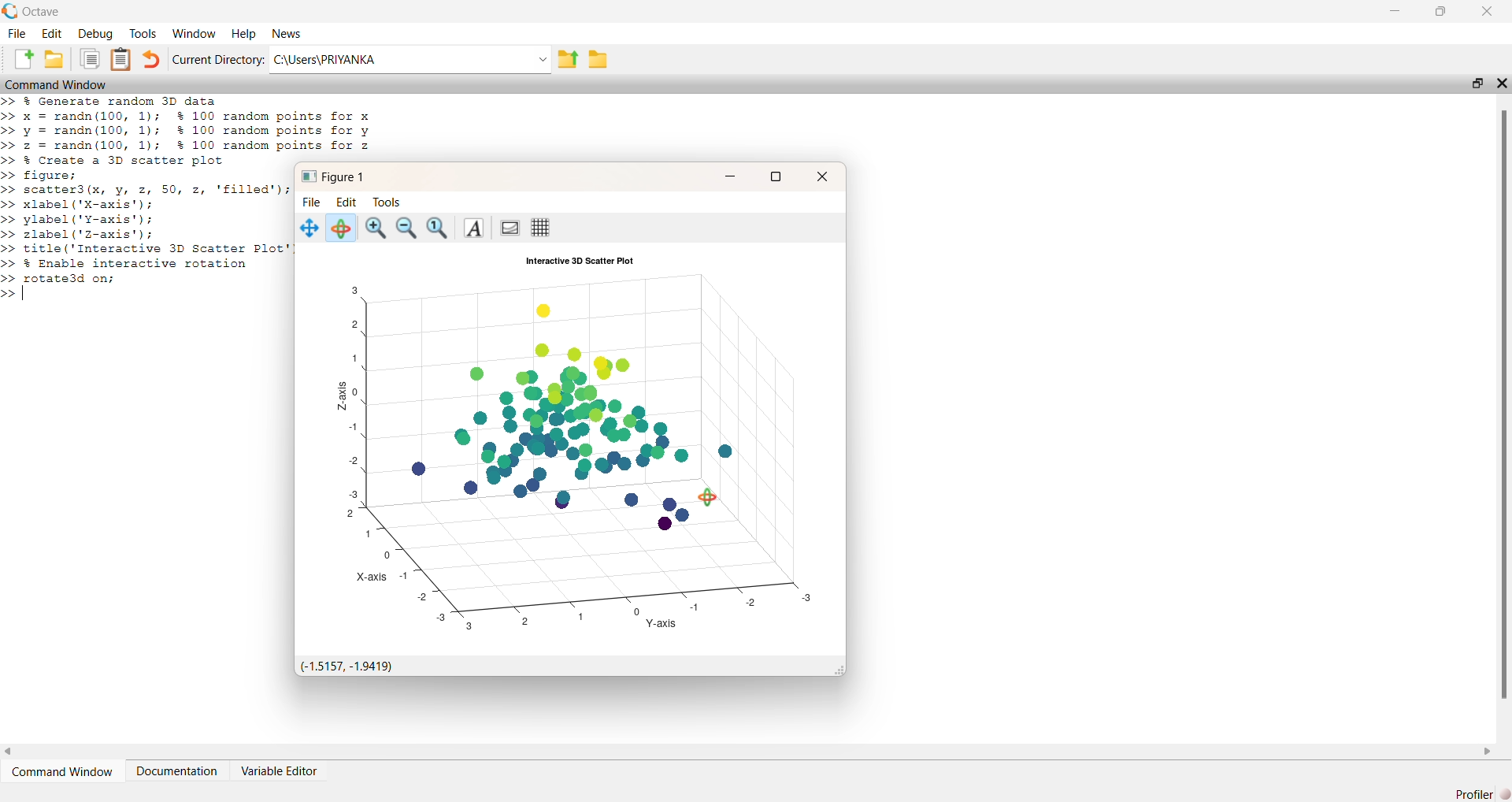  I want to click on File, so click(17, 34).